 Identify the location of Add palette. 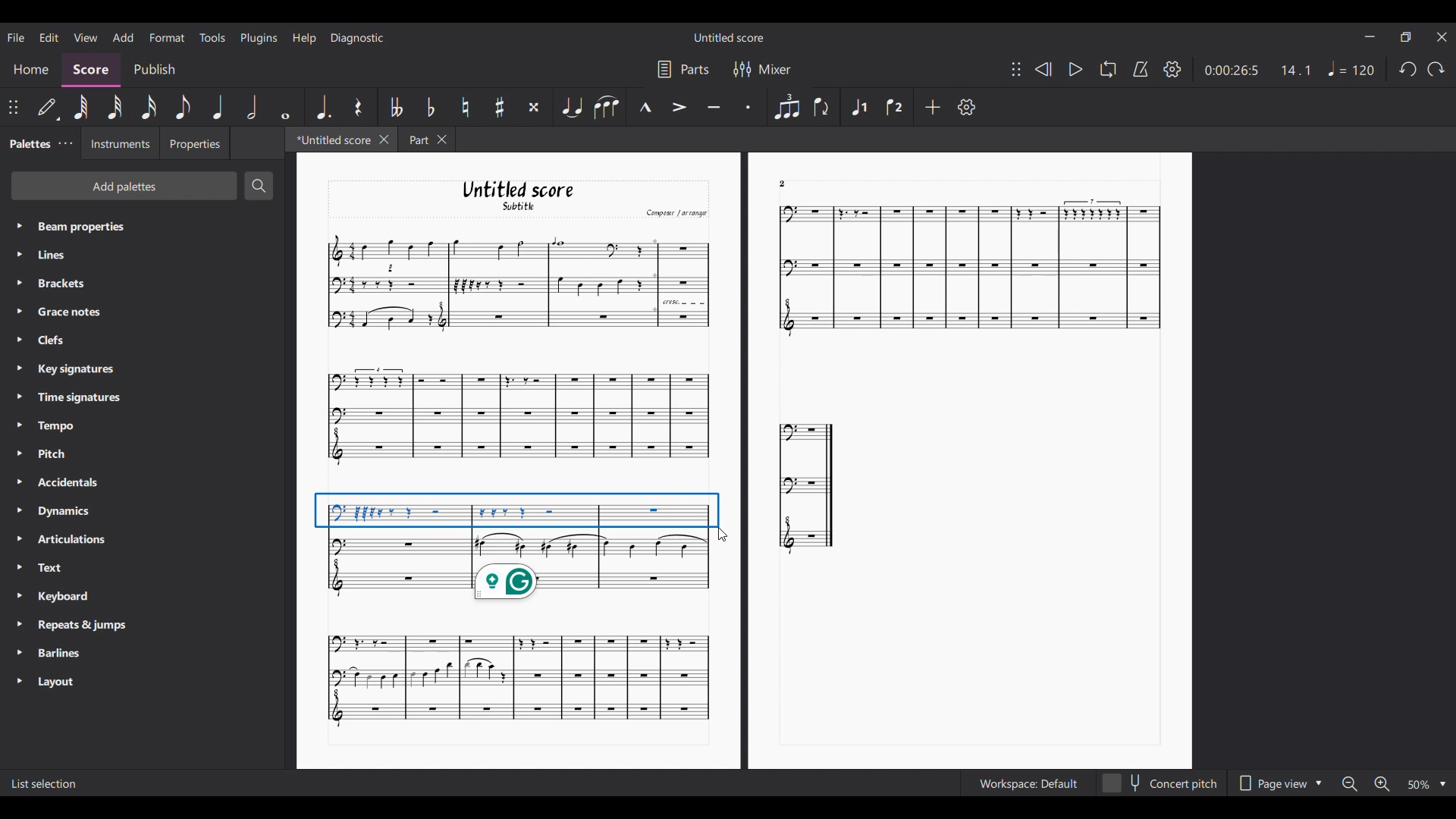
(124, 186).